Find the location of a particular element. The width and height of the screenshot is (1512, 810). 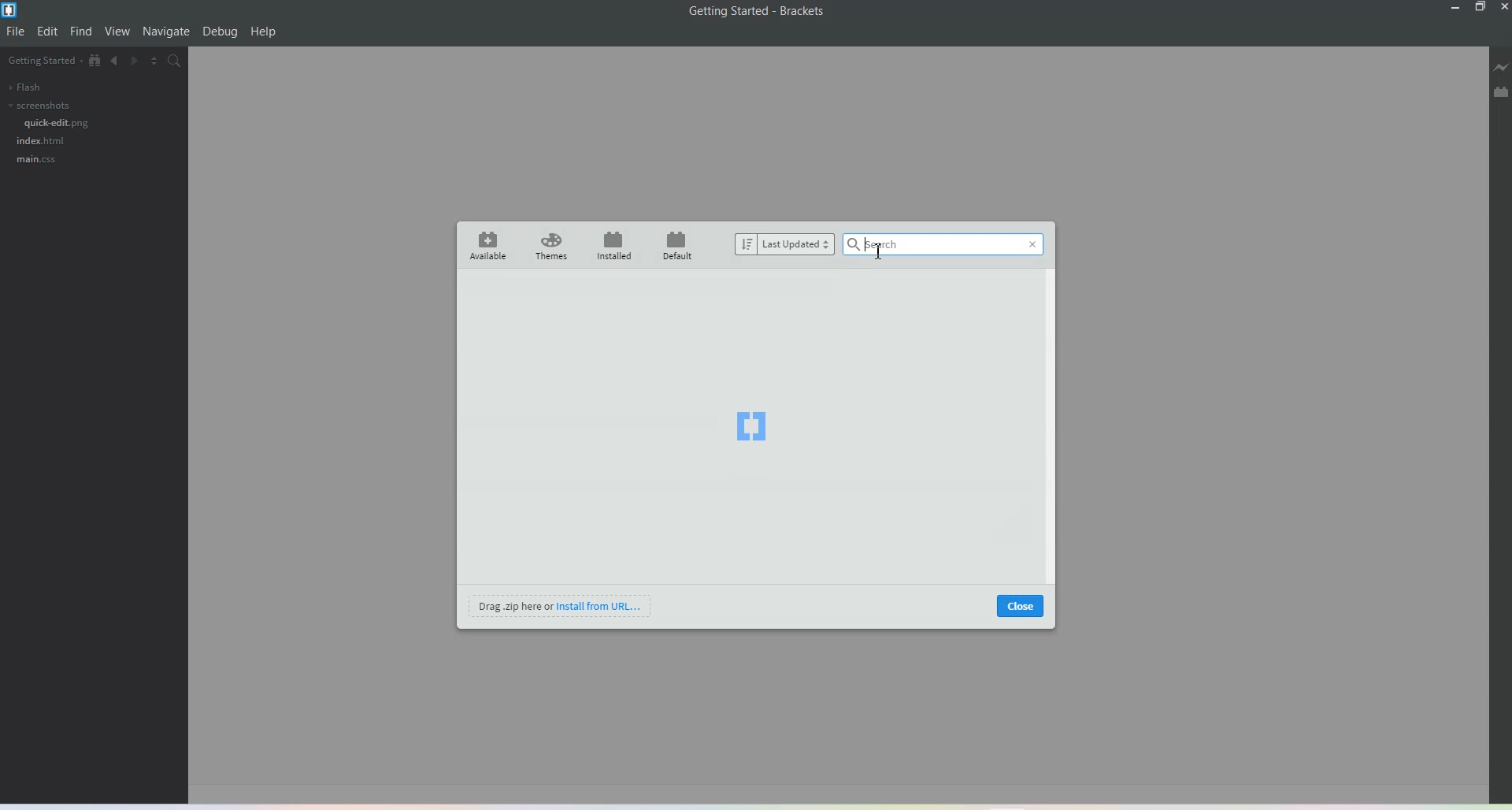

Live Preview is located at coordinates (1501, 69).